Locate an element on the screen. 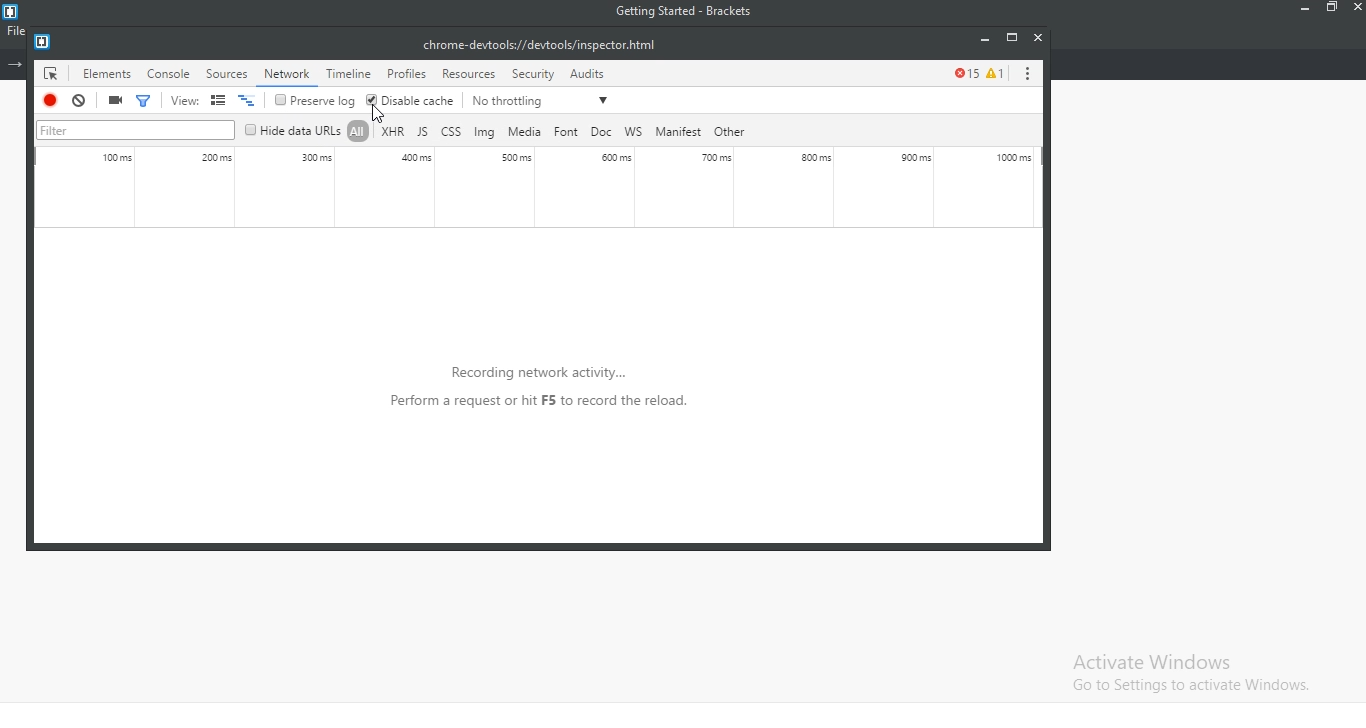  source is located at coordinates (229, 73).